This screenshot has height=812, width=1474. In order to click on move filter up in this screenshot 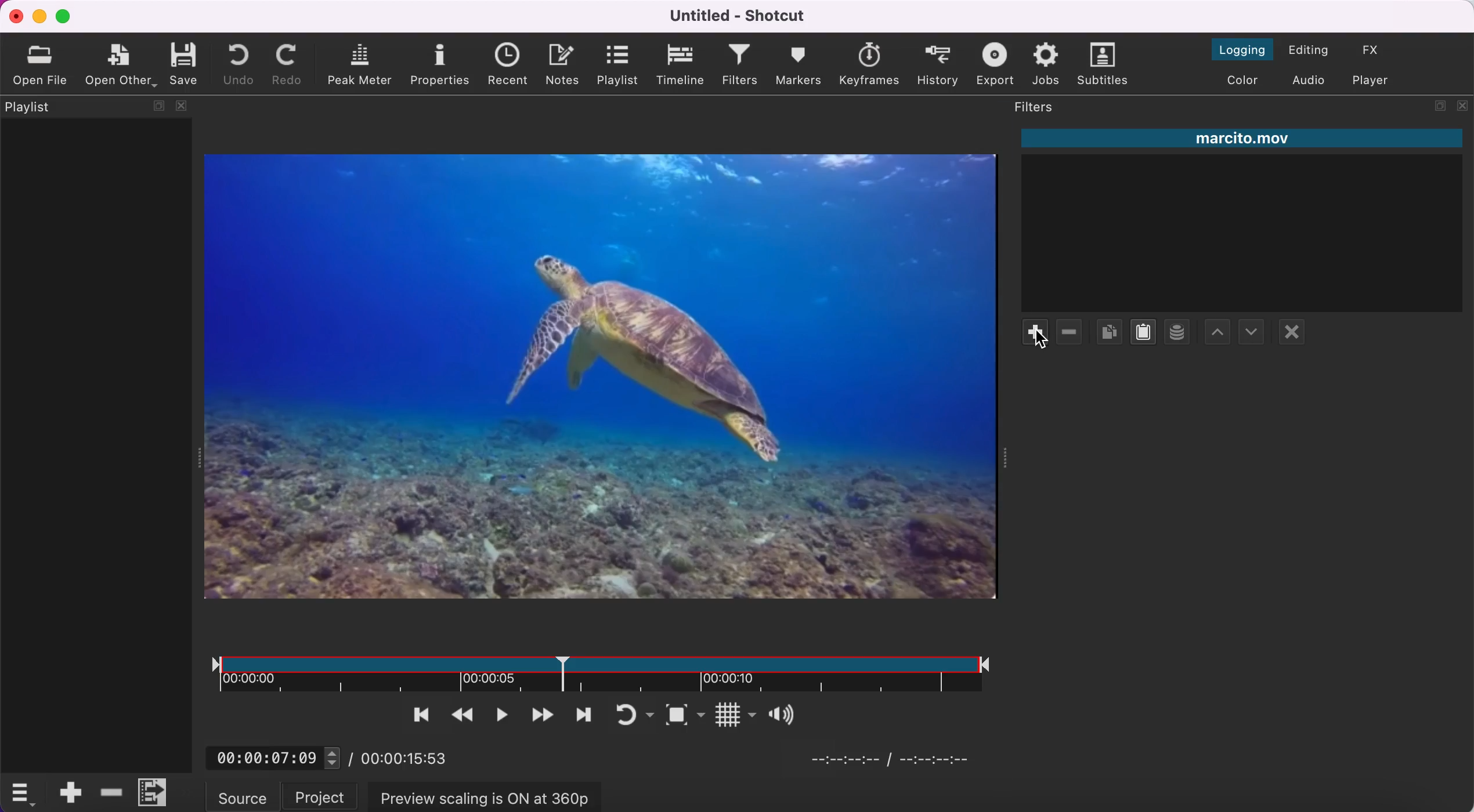, I will do `click(1253, 334)`.